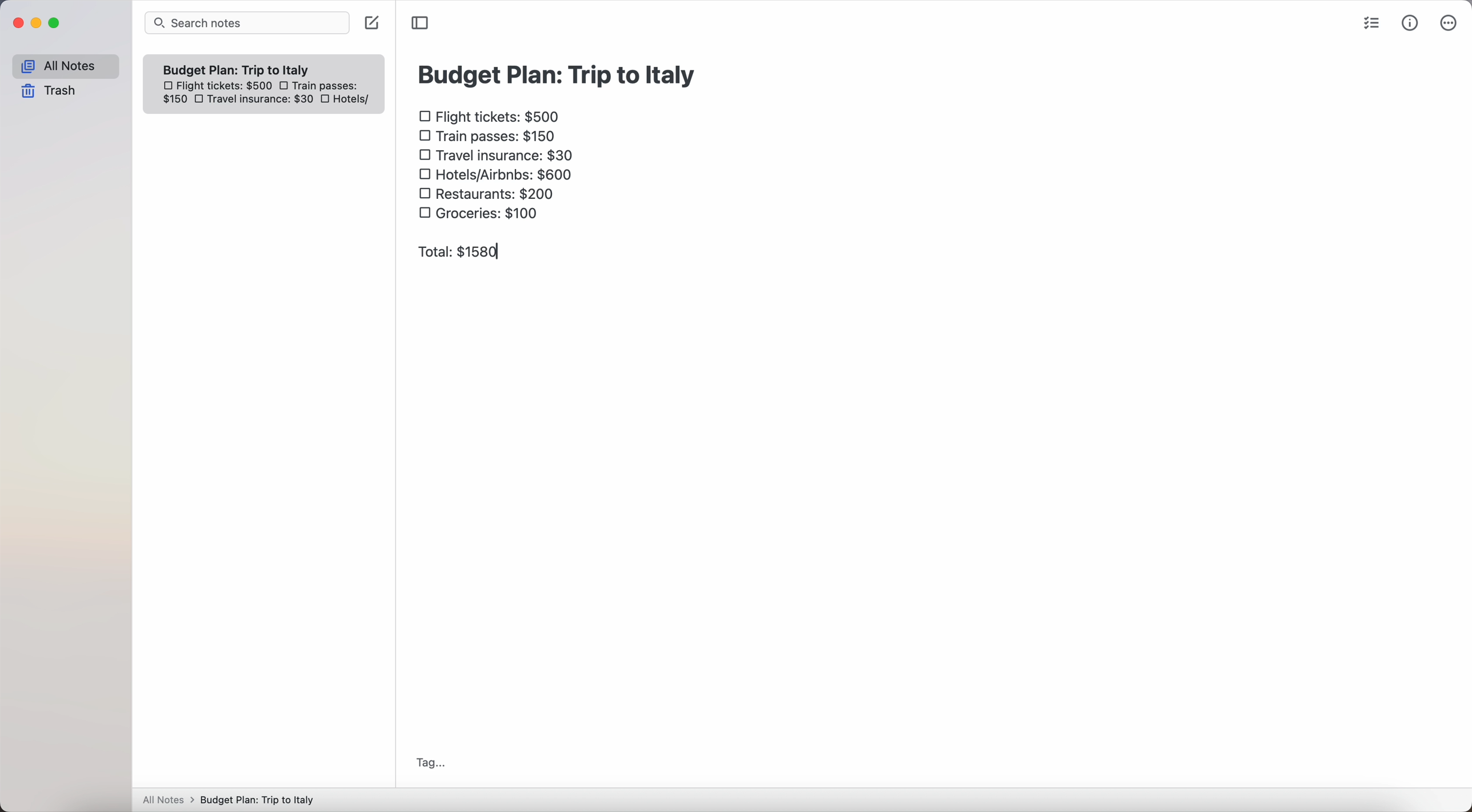 Image resolution: width=1472 pixels, height=812 pixels. Describe the element at coordinates (487, 191) in the screenshot. I see `restaurants: $200 checkbox` at that location.